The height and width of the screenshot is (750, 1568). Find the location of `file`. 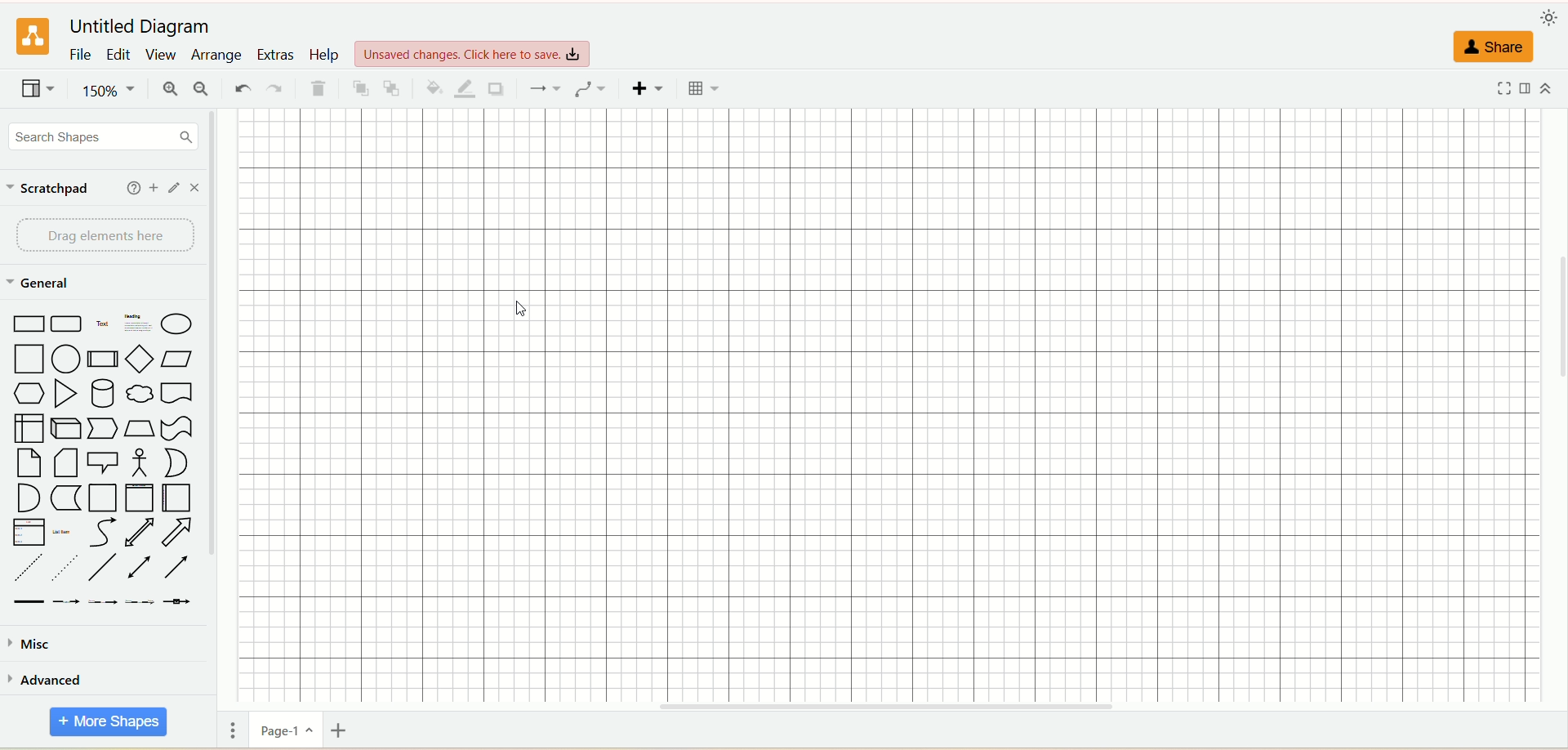

file is located at coordinates (81, 56).